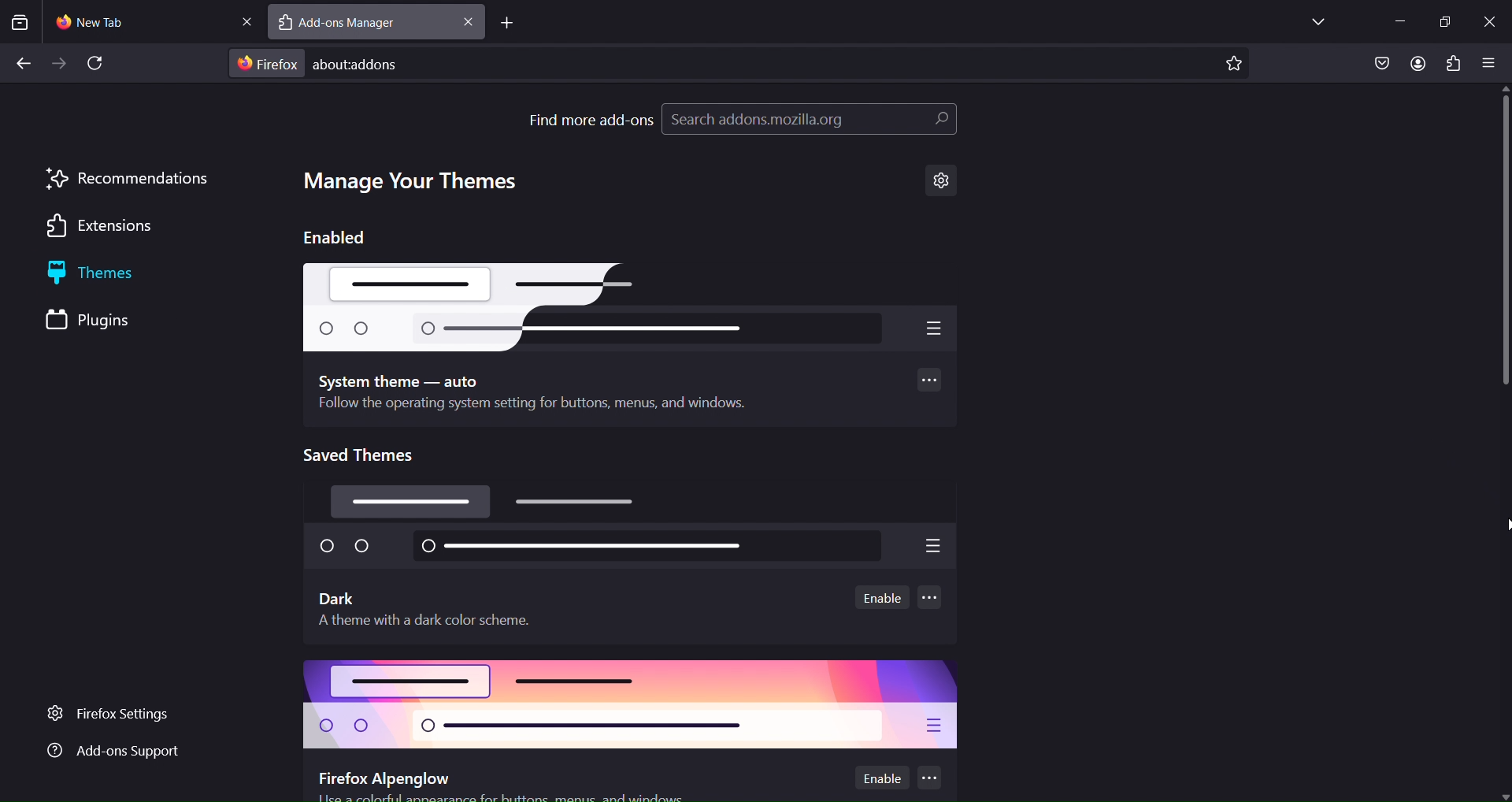 This screenshot has height=802, width=1512. I want to click on add ons manager, so click(354, 24).